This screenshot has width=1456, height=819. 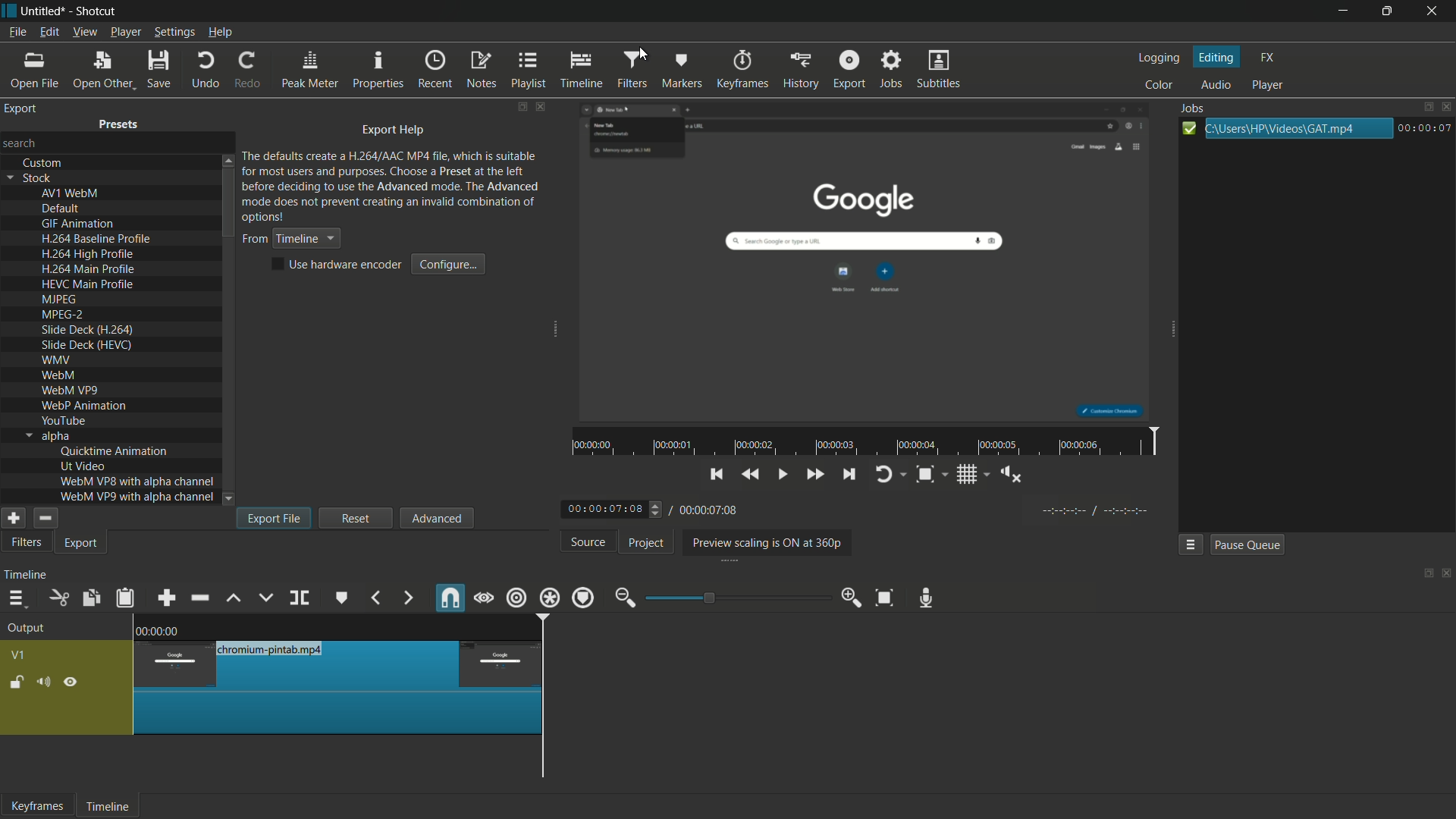 What do you see at coordinates (543, 105) in the screenshot?
I see `close export` at bounding box center [543, 105].